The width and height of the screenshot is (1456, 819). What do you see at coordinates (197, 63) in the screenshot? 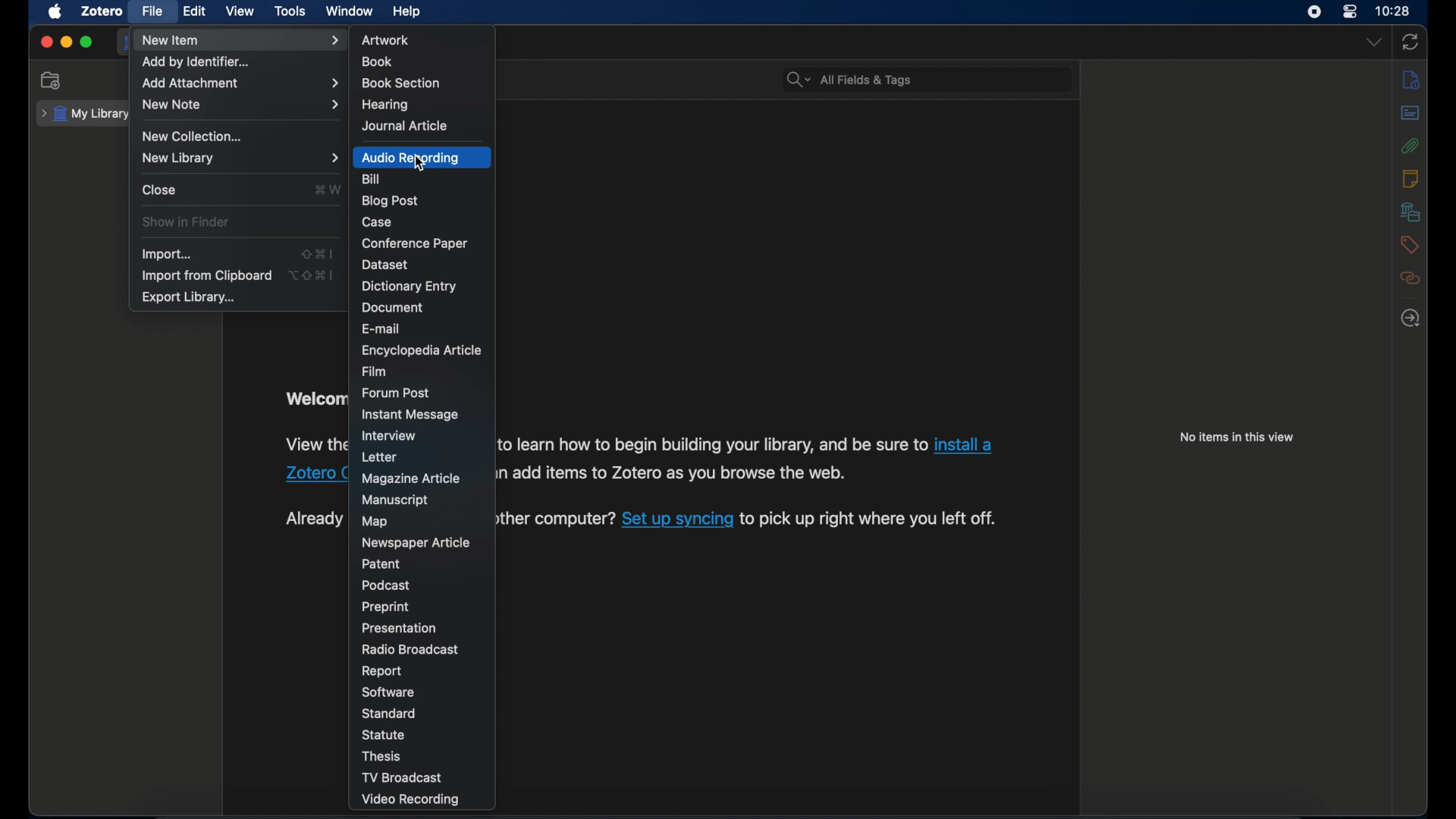
I see `add item by identifier` at bounding box center [197, 63].